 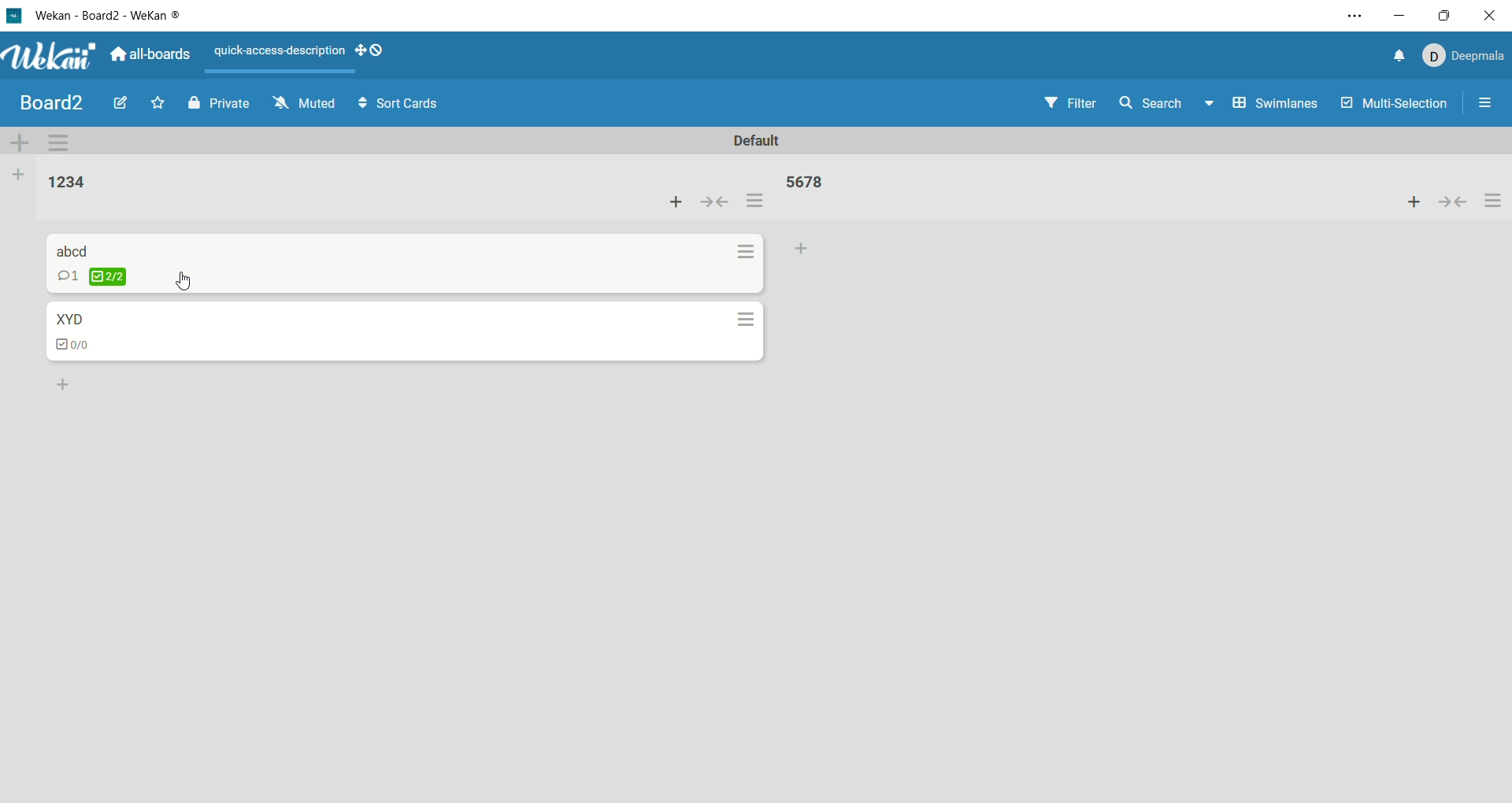 I want to click on checklist, so click(x=92, y=276).